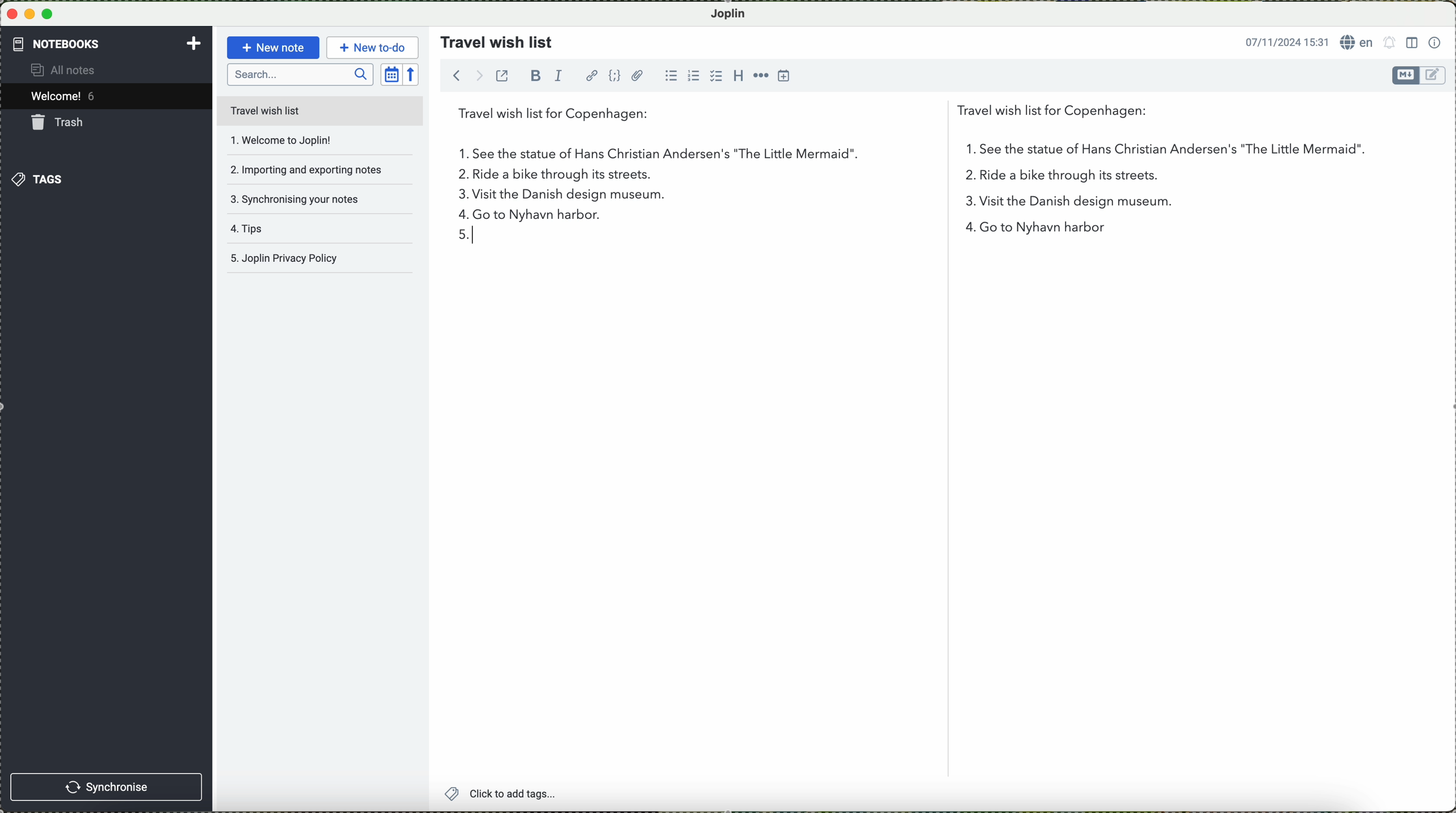 The image size is (1456, 813). What do you see at coordinates (391, 73) in the screenshot?
I see `toggle sort order field` at bounding box center [391, 73].